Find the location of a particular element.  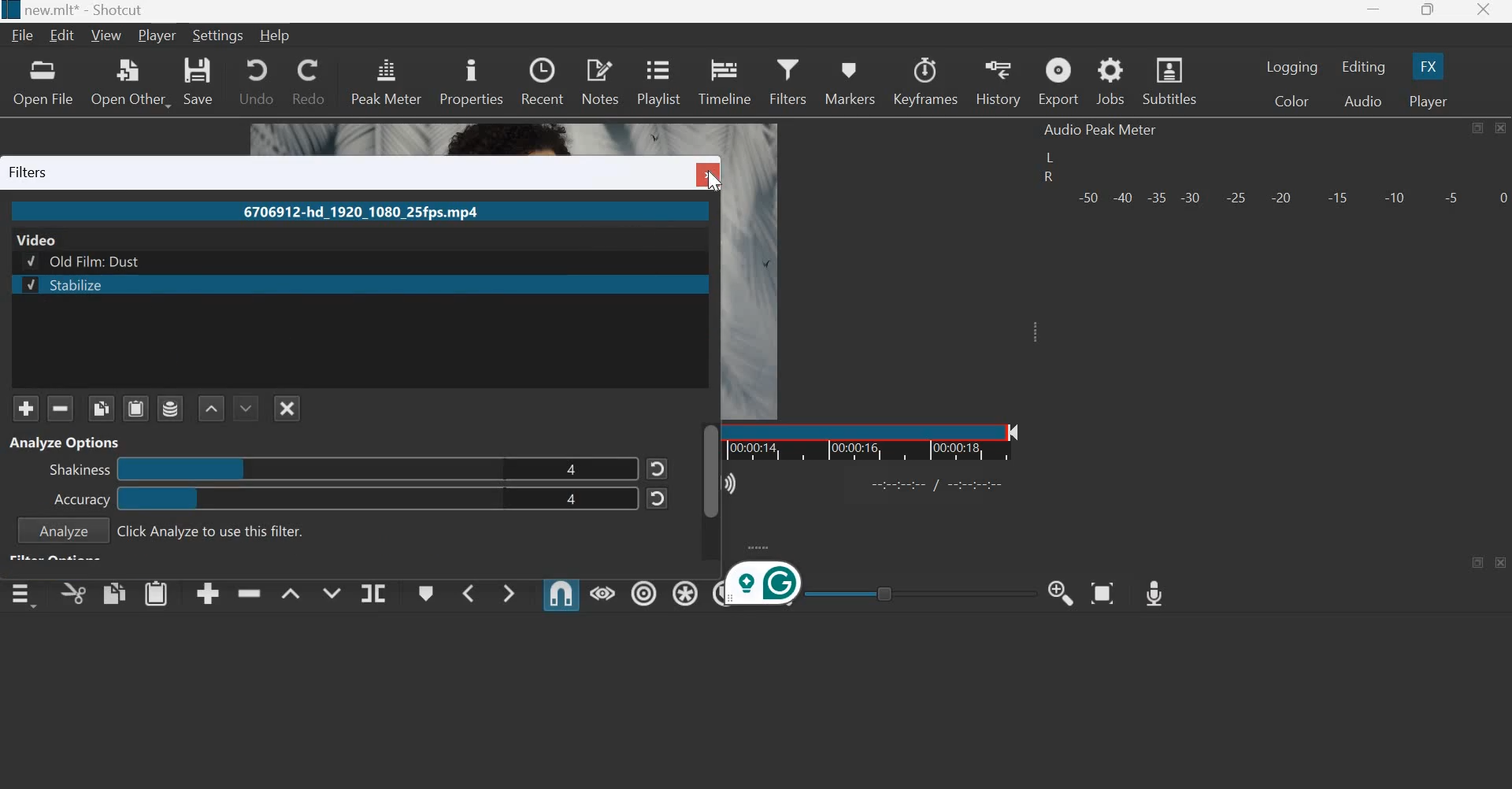

save a filter set is located at coordinates (171, 408).